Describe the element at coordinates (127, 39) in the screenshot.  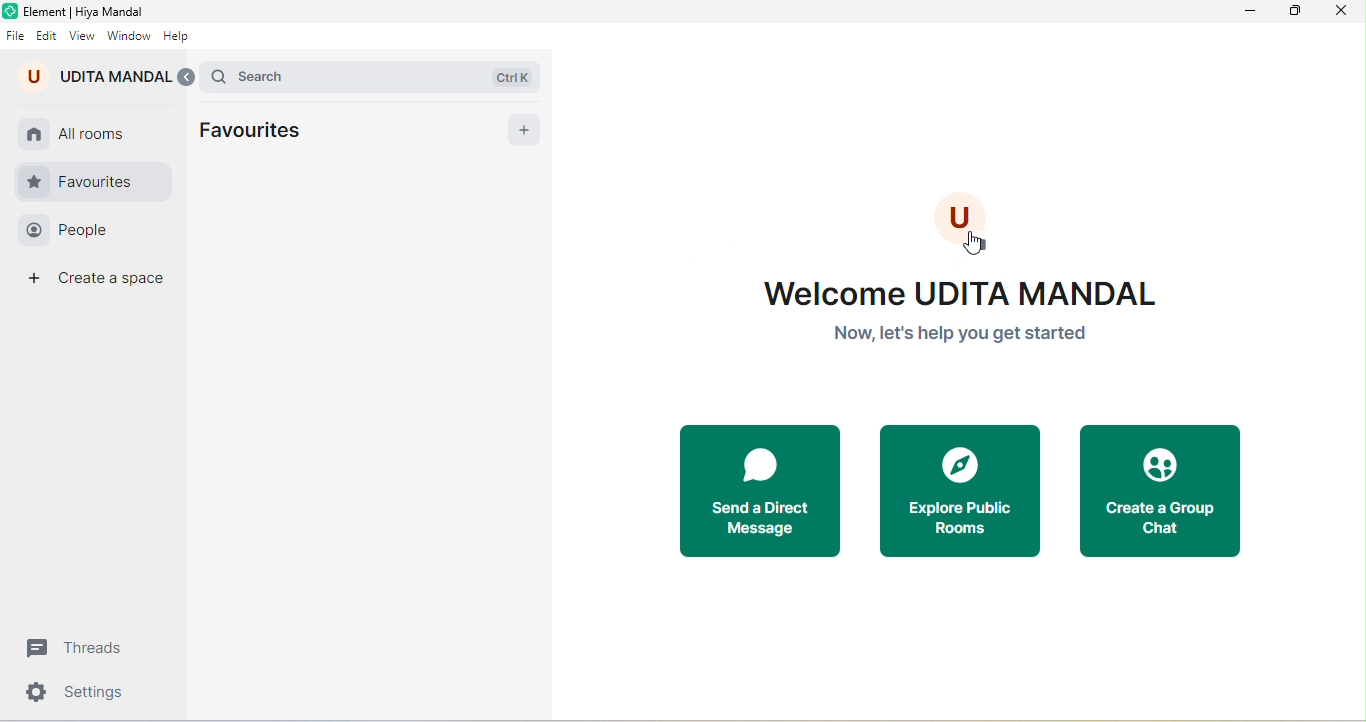
I see `window` at that location.